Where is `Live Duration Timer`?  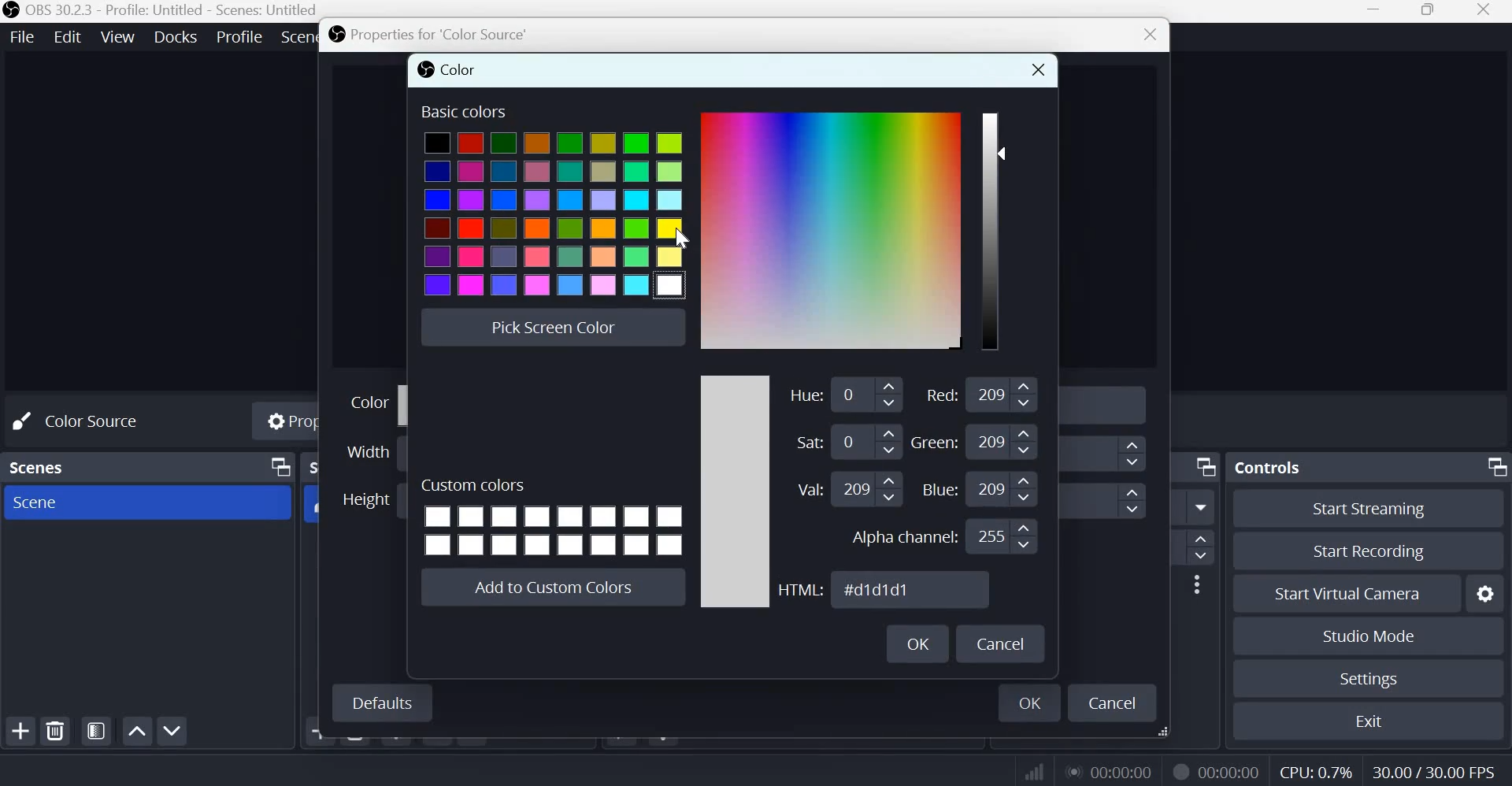 Live Duration Timer is located at coordinates (1111, 771).